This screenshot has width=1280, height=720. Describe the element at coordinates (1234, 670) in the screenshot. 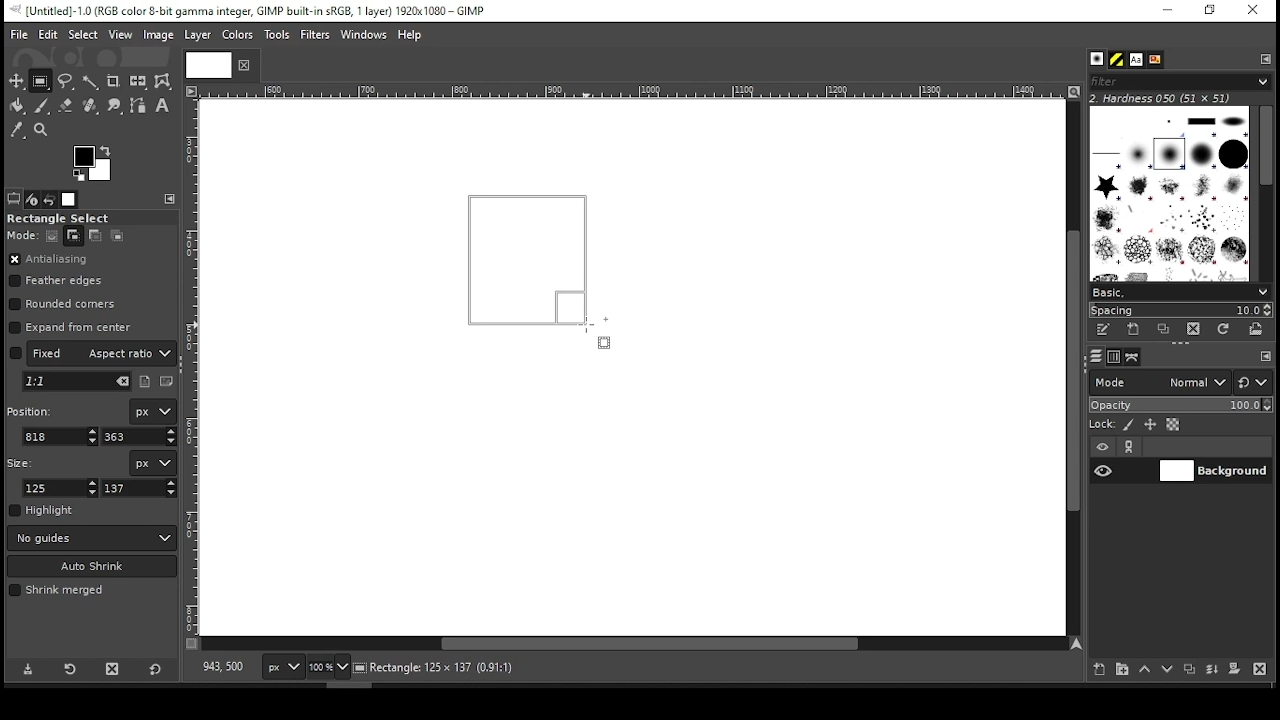

I see `mask  layer` at that location.